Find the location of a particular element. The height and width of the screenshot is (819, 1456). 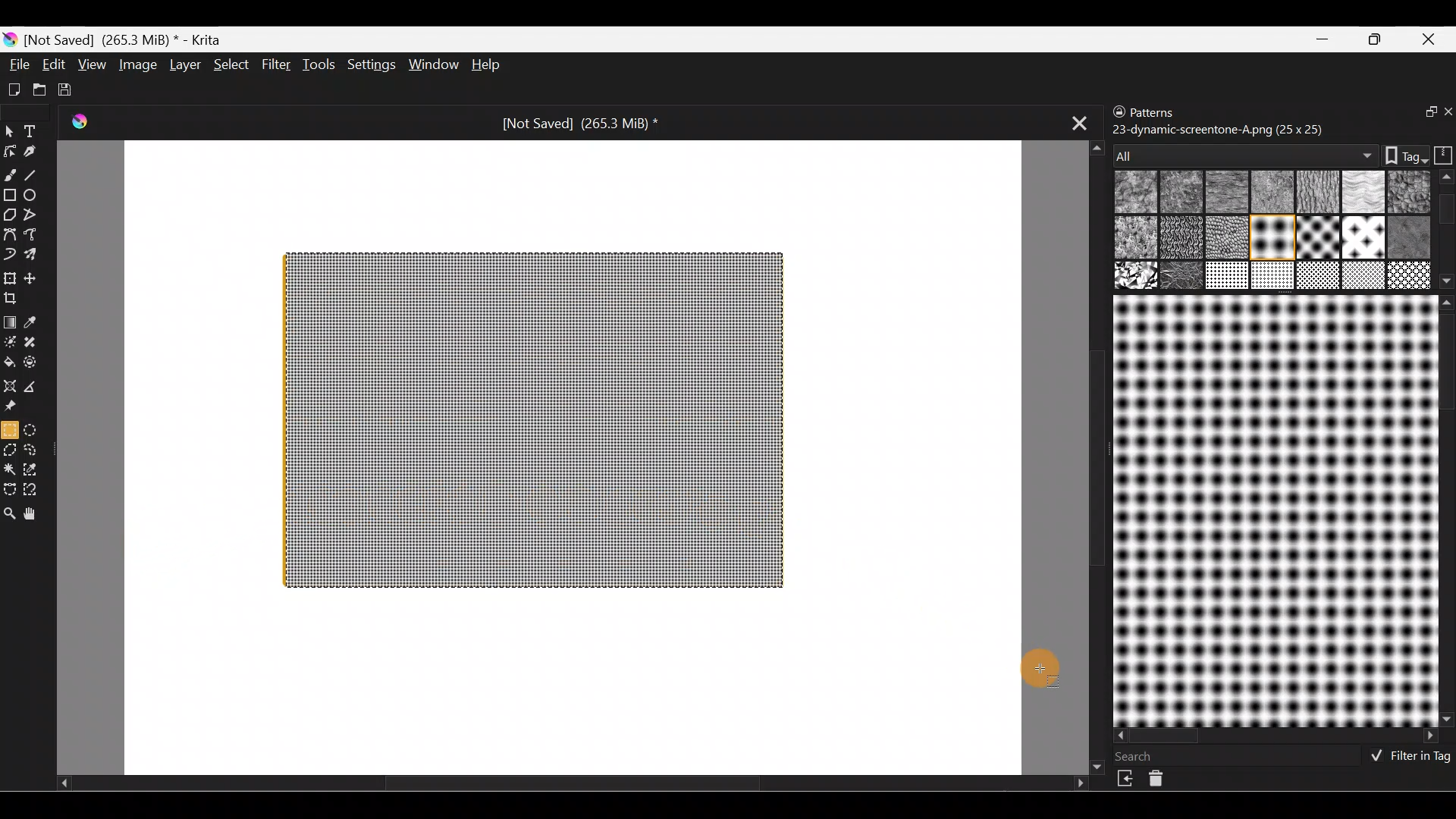

Elliptical selection tool is located at coordinates (35, 429).